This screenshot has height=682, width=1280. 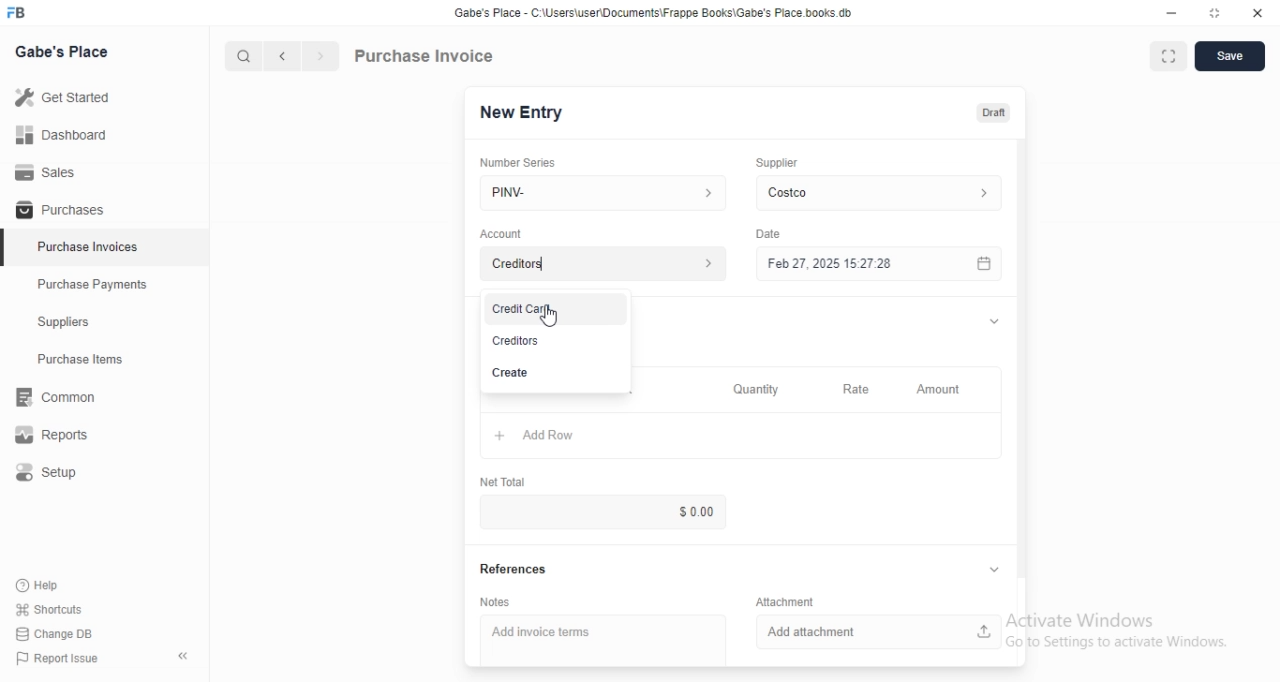 I want to click on ‘Gabe's Place - C\Users\useriDocuments\Frappe Books\Gabe's Place books db., so click(x=653, y=12).